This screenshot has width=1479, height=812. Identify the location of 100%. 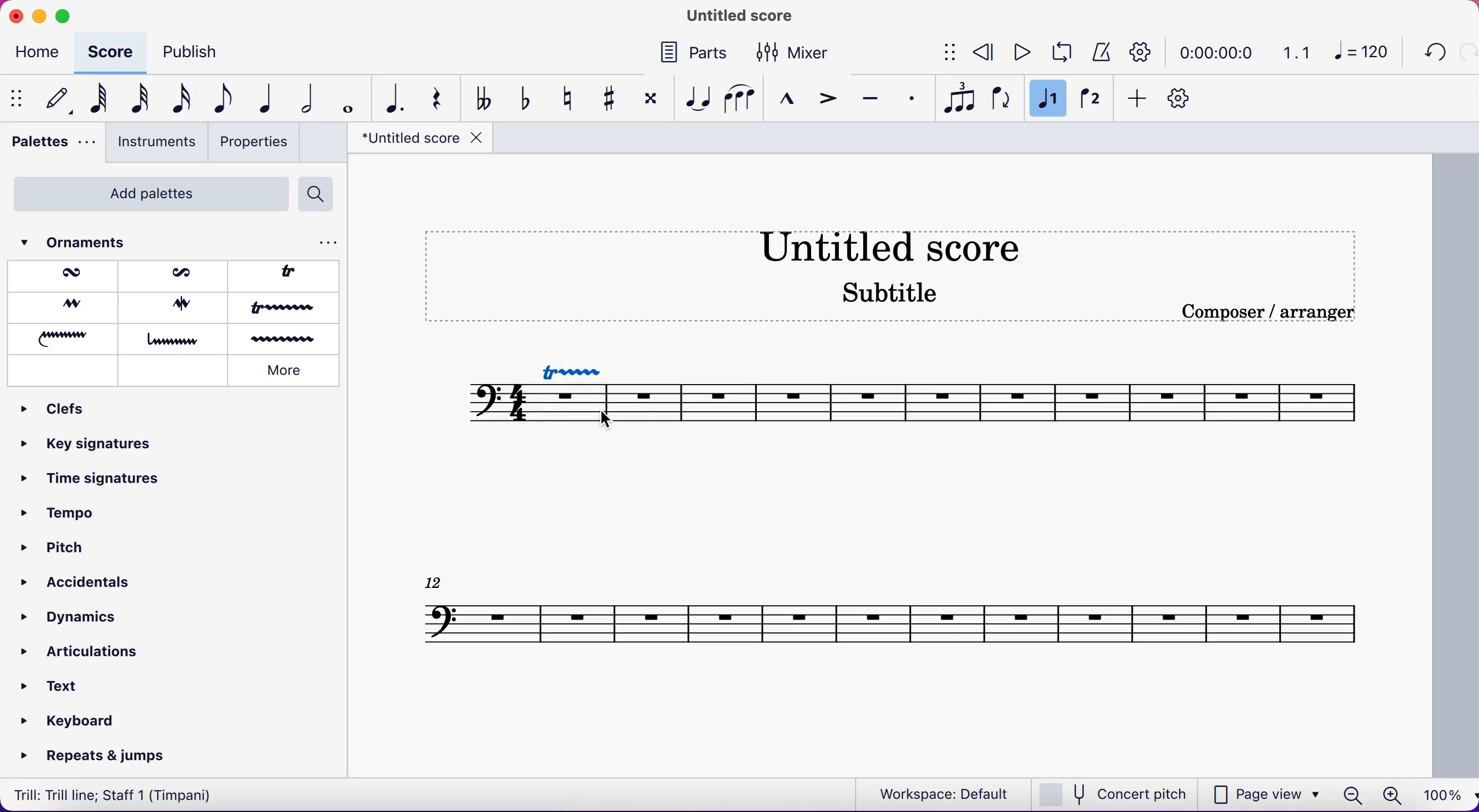
(1444, 796).